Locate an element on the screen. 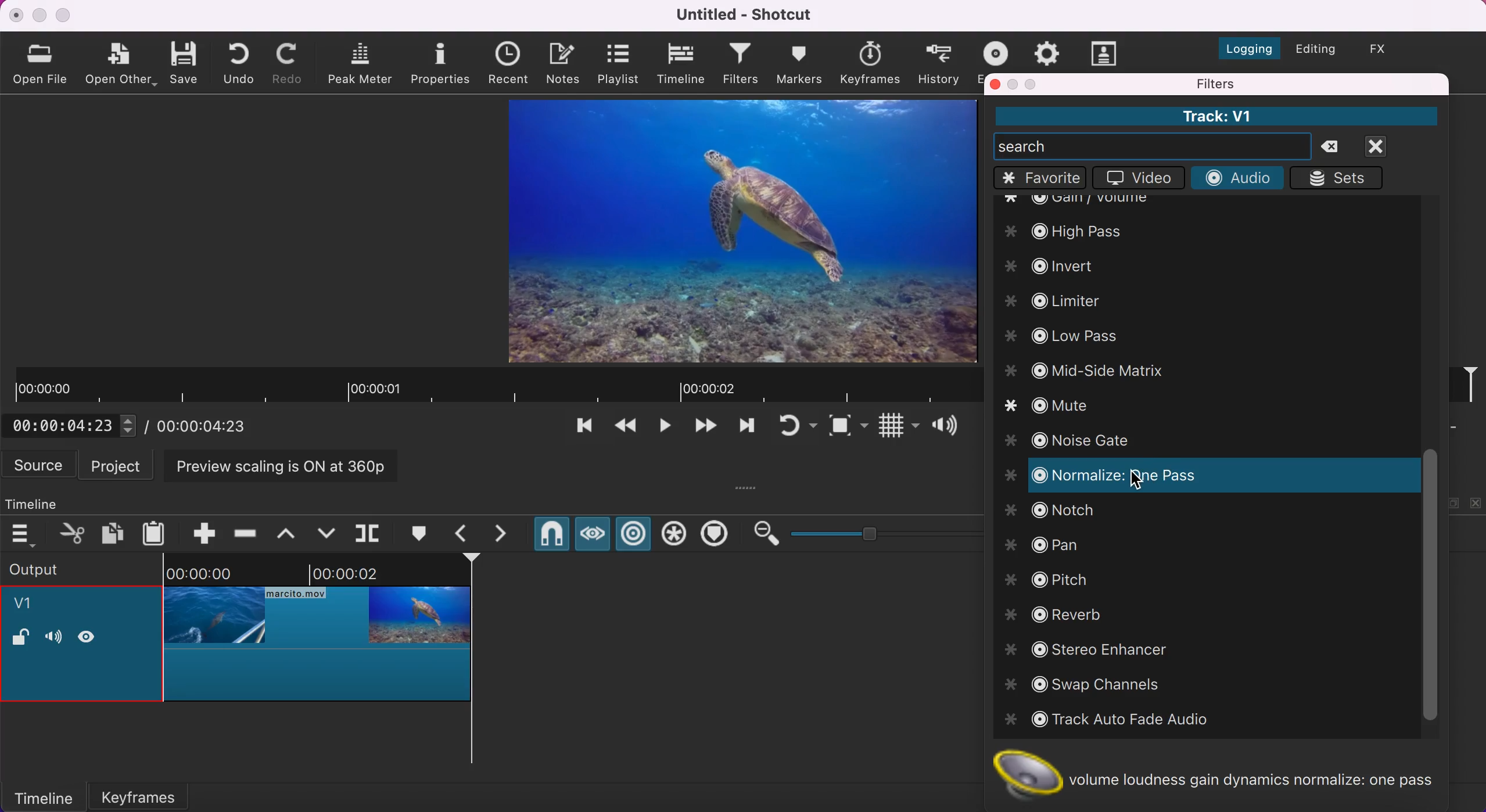  switch to the effects layout is located at coordinates (1387, 49).